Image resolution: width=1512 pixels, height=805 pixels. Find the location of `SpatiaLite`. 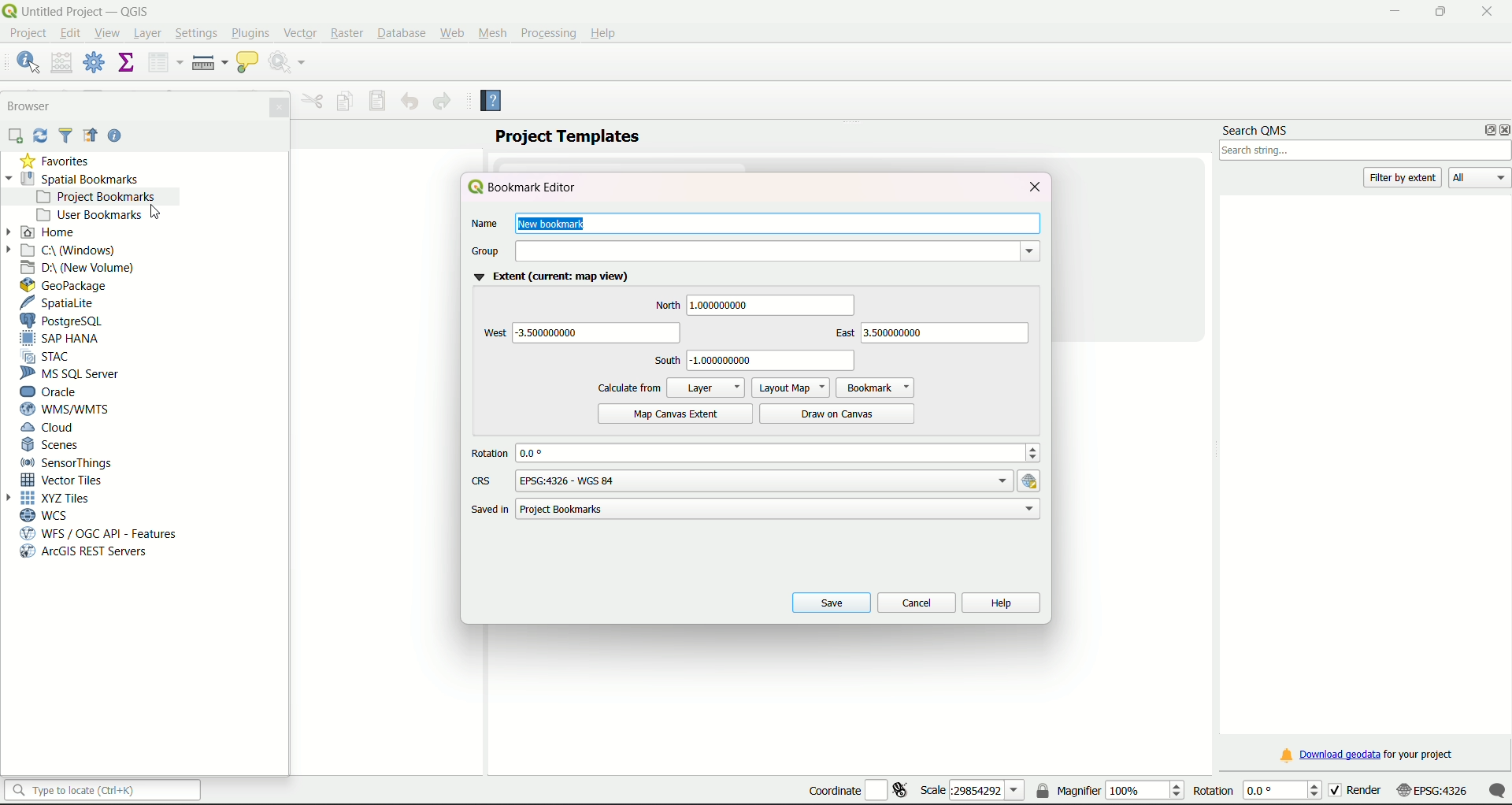

SpatiaLite is located at coordinates (61, 303).